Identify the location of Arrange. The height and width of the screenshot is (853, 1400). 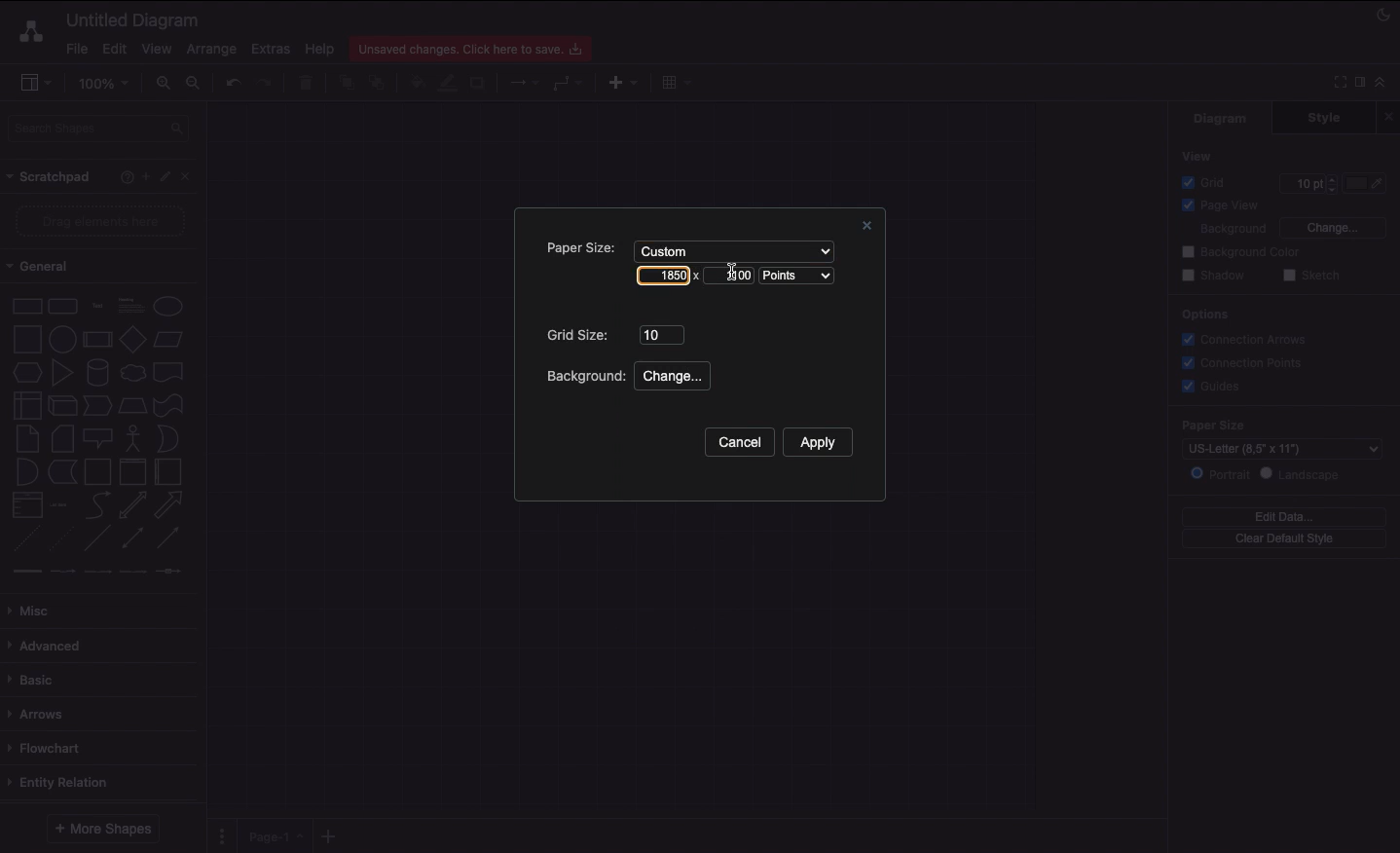
(212, 50).